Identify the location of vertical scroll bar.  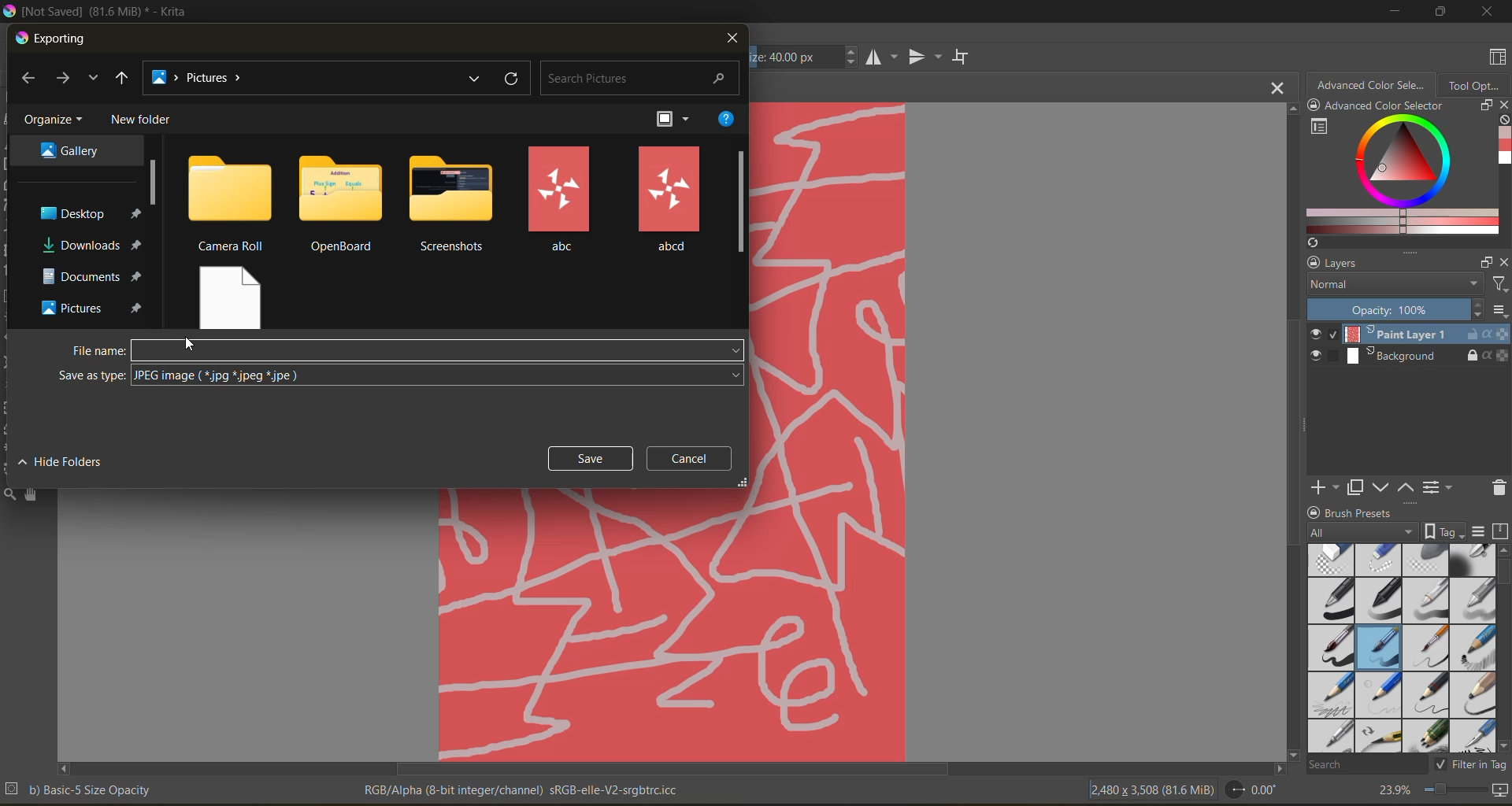
(741, 202).